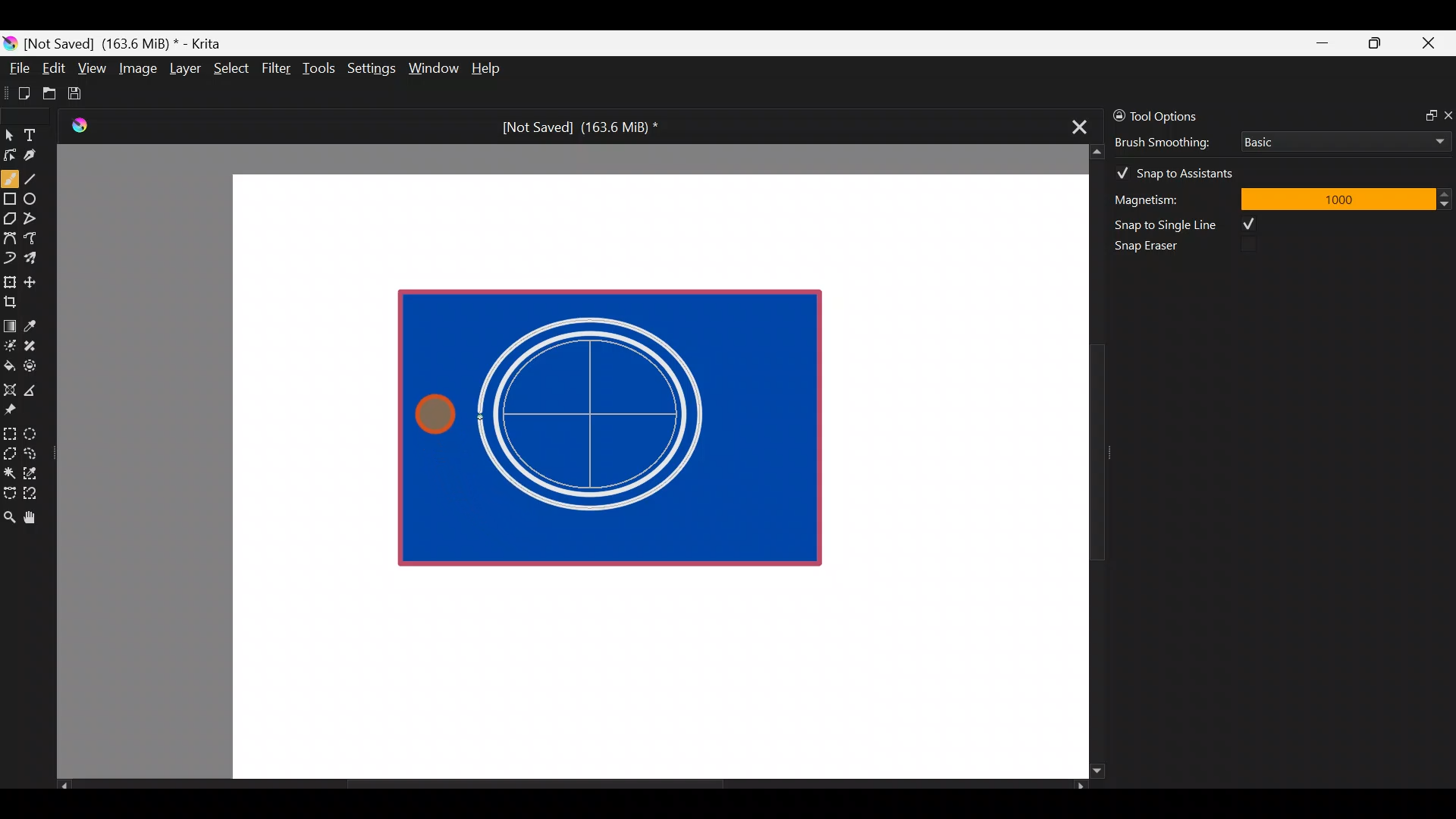  Describe the element at coordinates (601, 414) in the screenshot. I see `Concentric circle drawn on canvas` at that location.